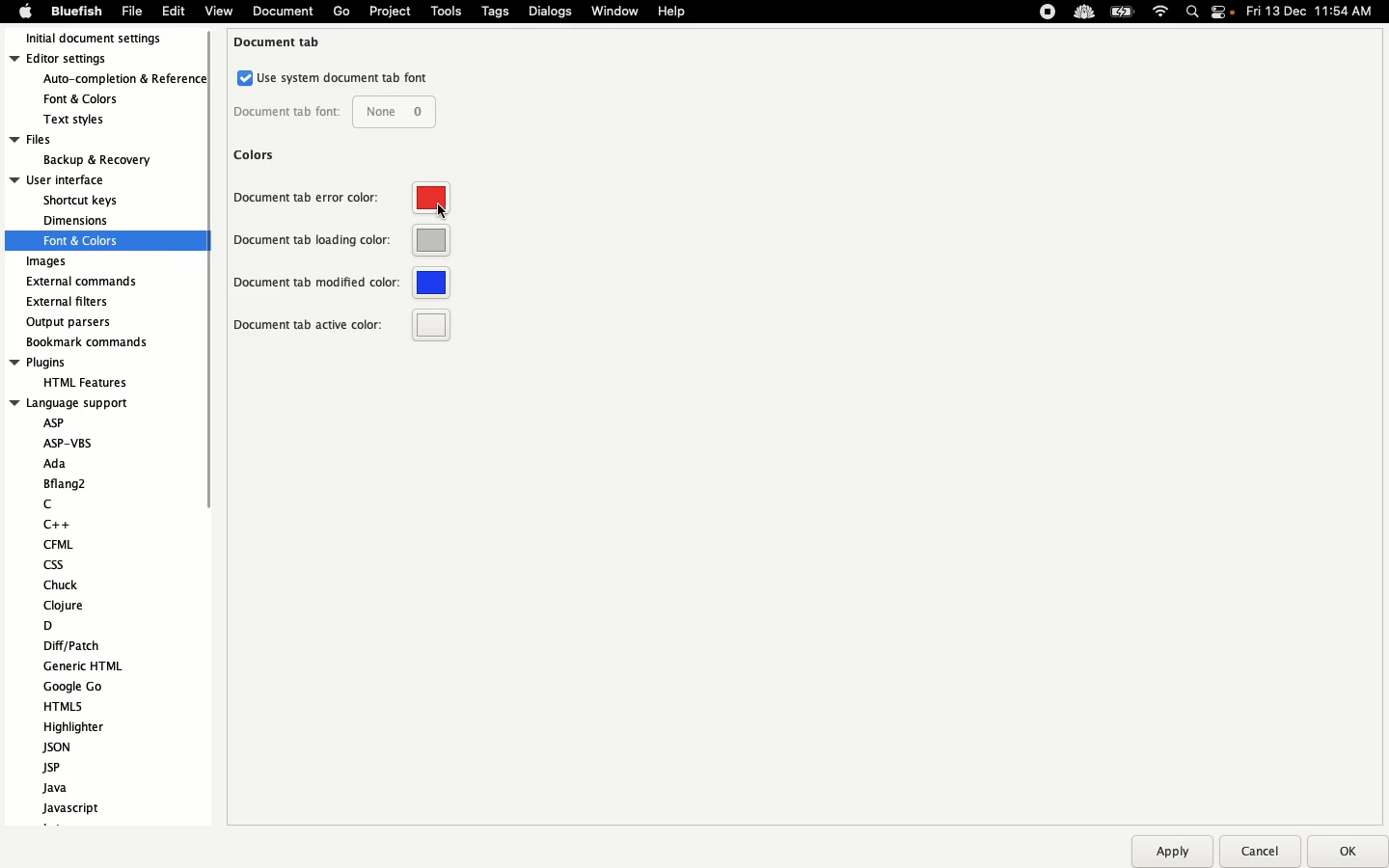  I want to click on Use system document tab font, so click(334, 78).